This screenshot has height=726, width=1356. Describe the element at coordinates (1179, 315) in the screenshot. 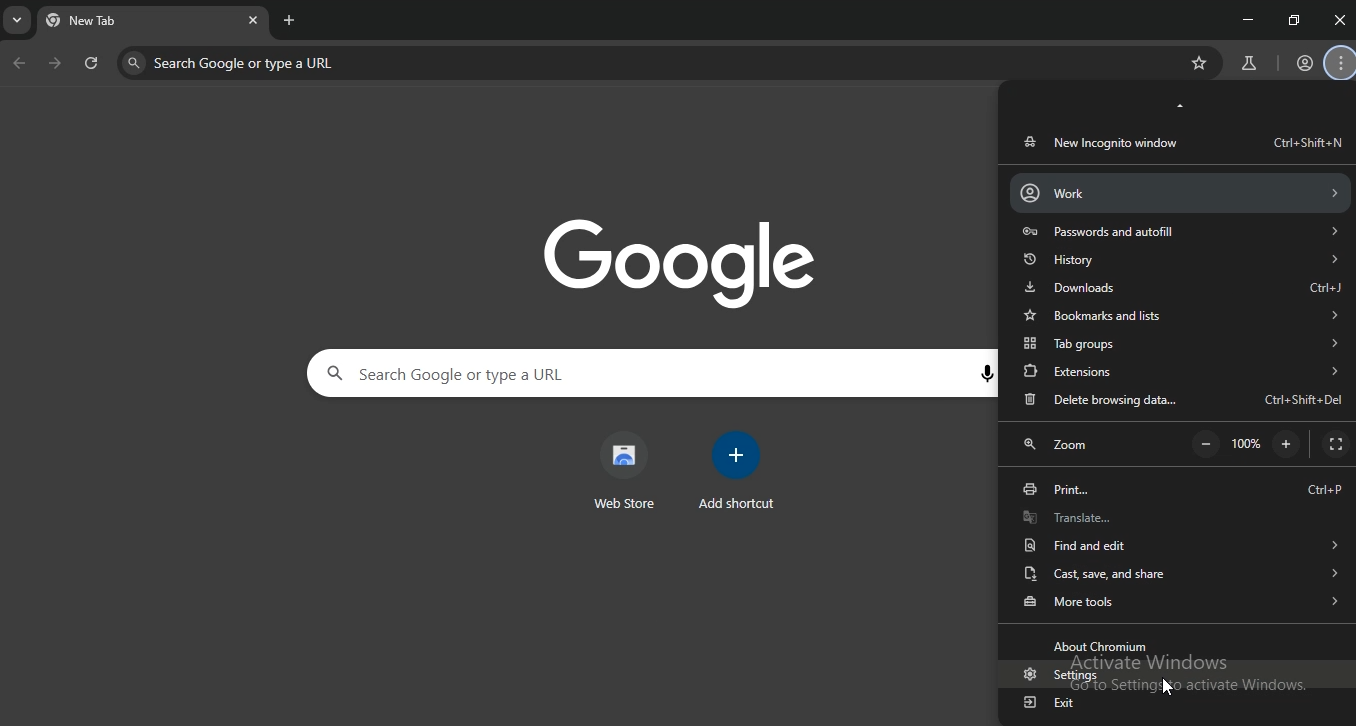

I see `bookmarks and lists` at that location.